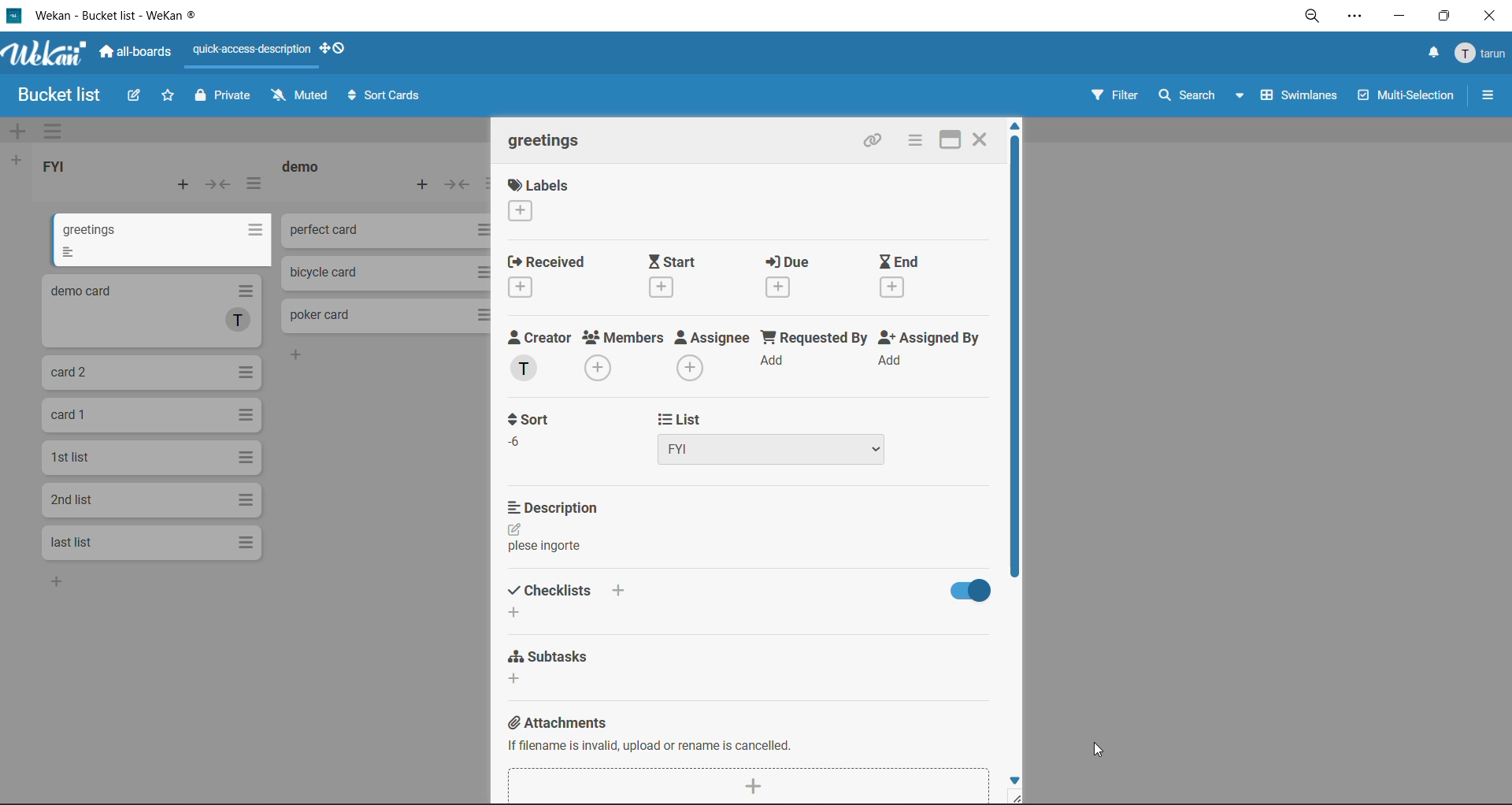  Describe the element at coordinates (526, 428) in the screenshot. I see `sort` at that location.